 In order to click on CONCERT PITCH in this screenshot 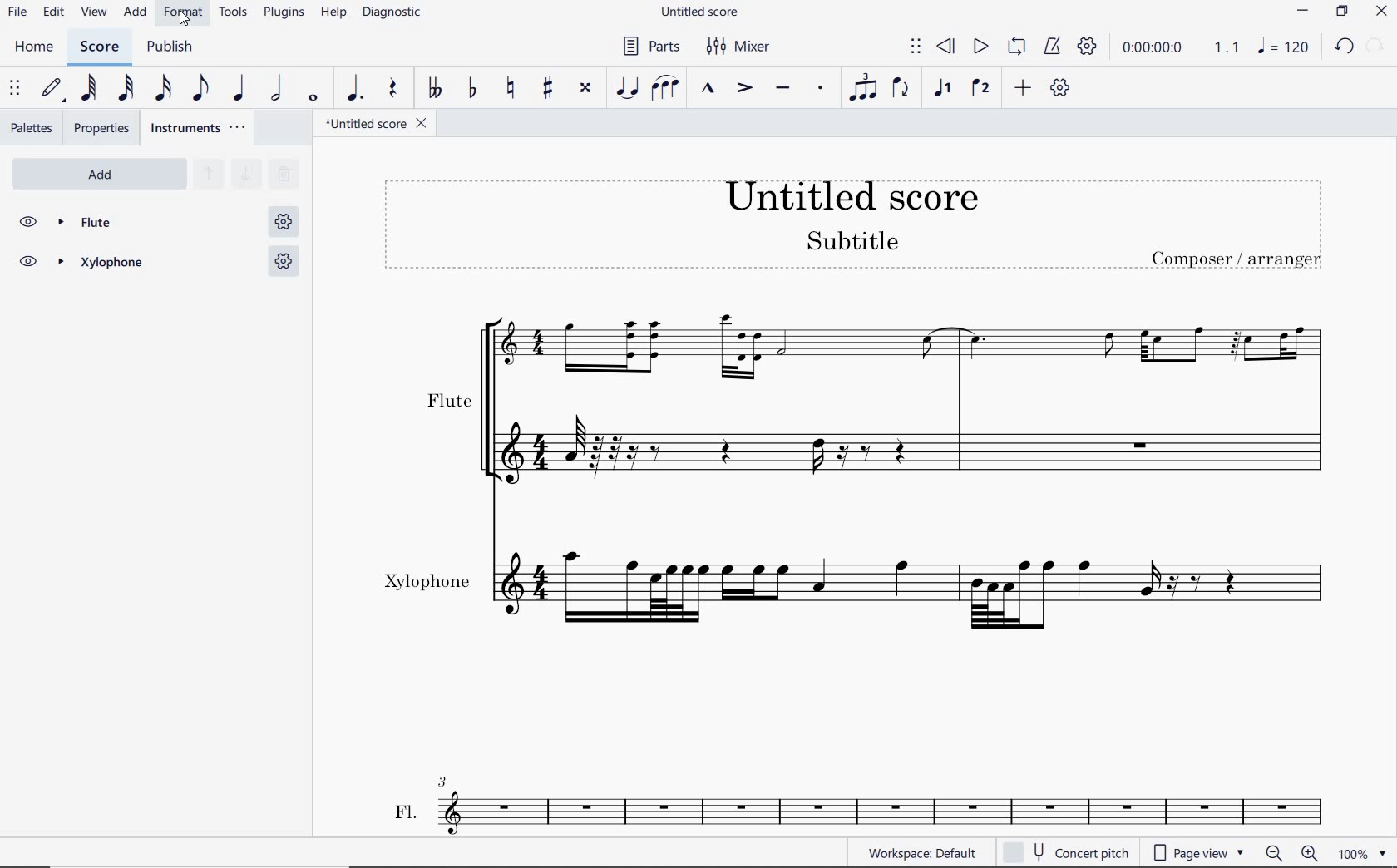, I will do `click(1064, 853)`.